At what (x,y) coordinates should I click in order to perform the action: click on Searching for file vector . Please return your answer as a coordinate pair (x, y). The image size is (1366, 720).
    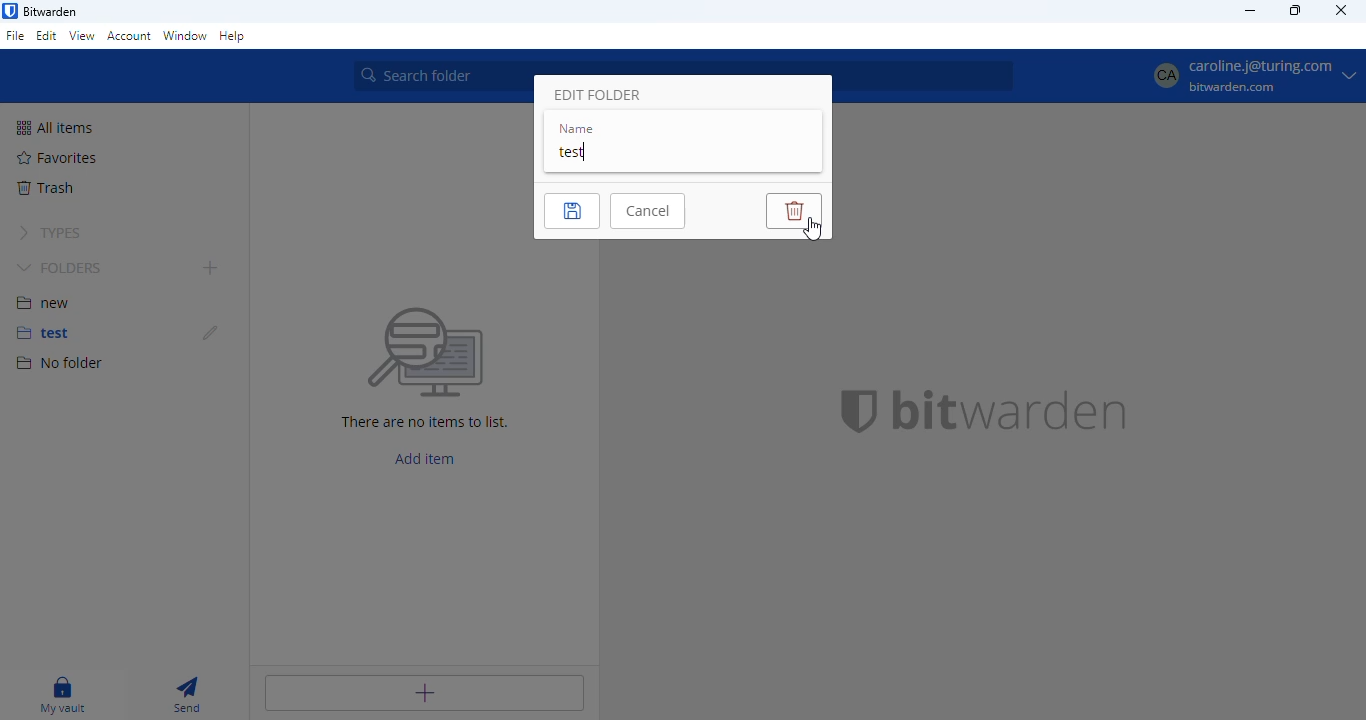
    Looking at the image, I should click on (426, 353).